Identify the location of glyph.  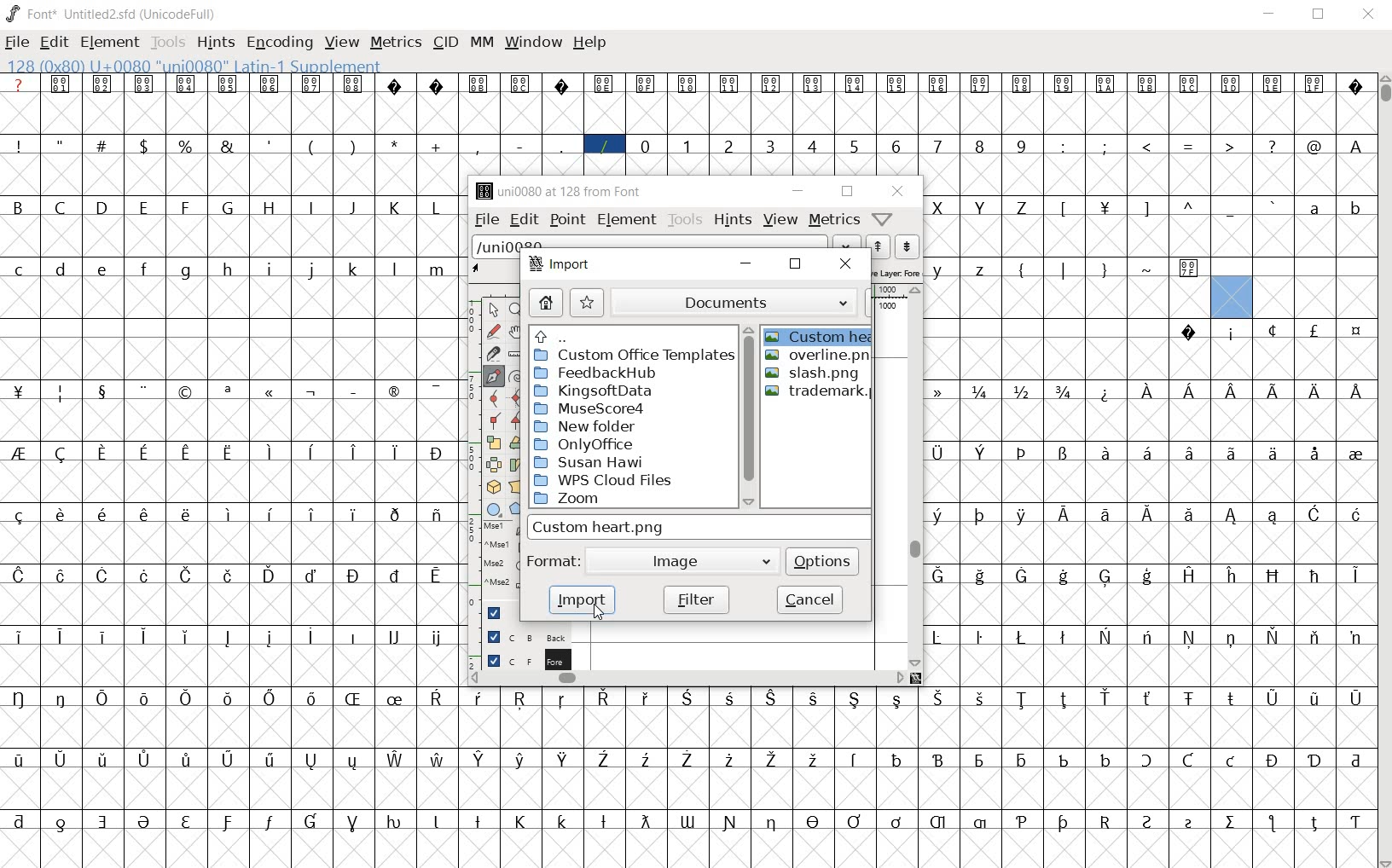
(1229, 145).